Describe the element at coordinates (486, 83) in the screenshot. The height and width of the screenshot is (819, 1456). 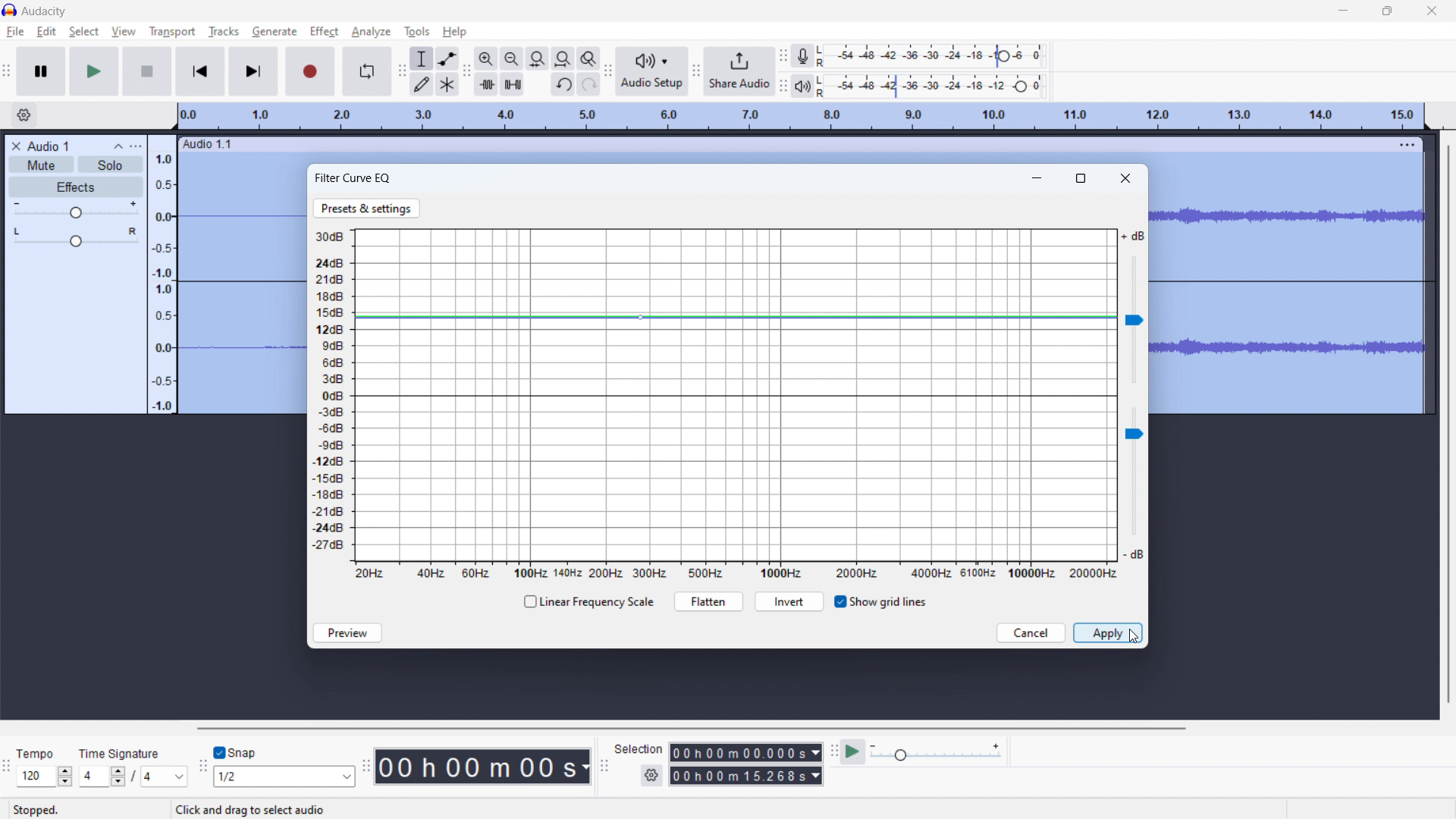
I see `trim audio outside selection` at that location.